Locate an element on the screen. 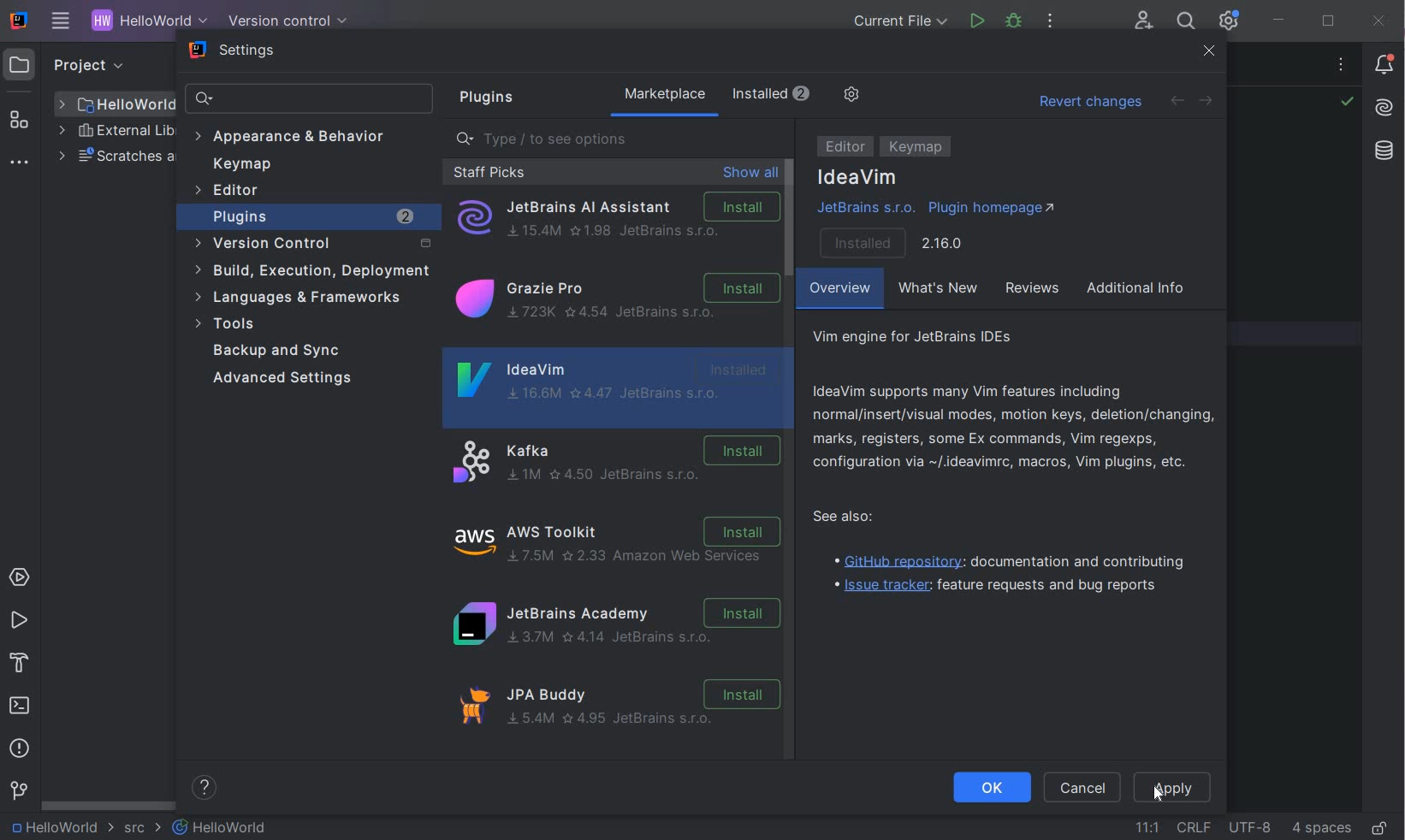 The width and height of the screenshot is (1405, 840). build, execution, deployment is located at coordinates (311, 270).